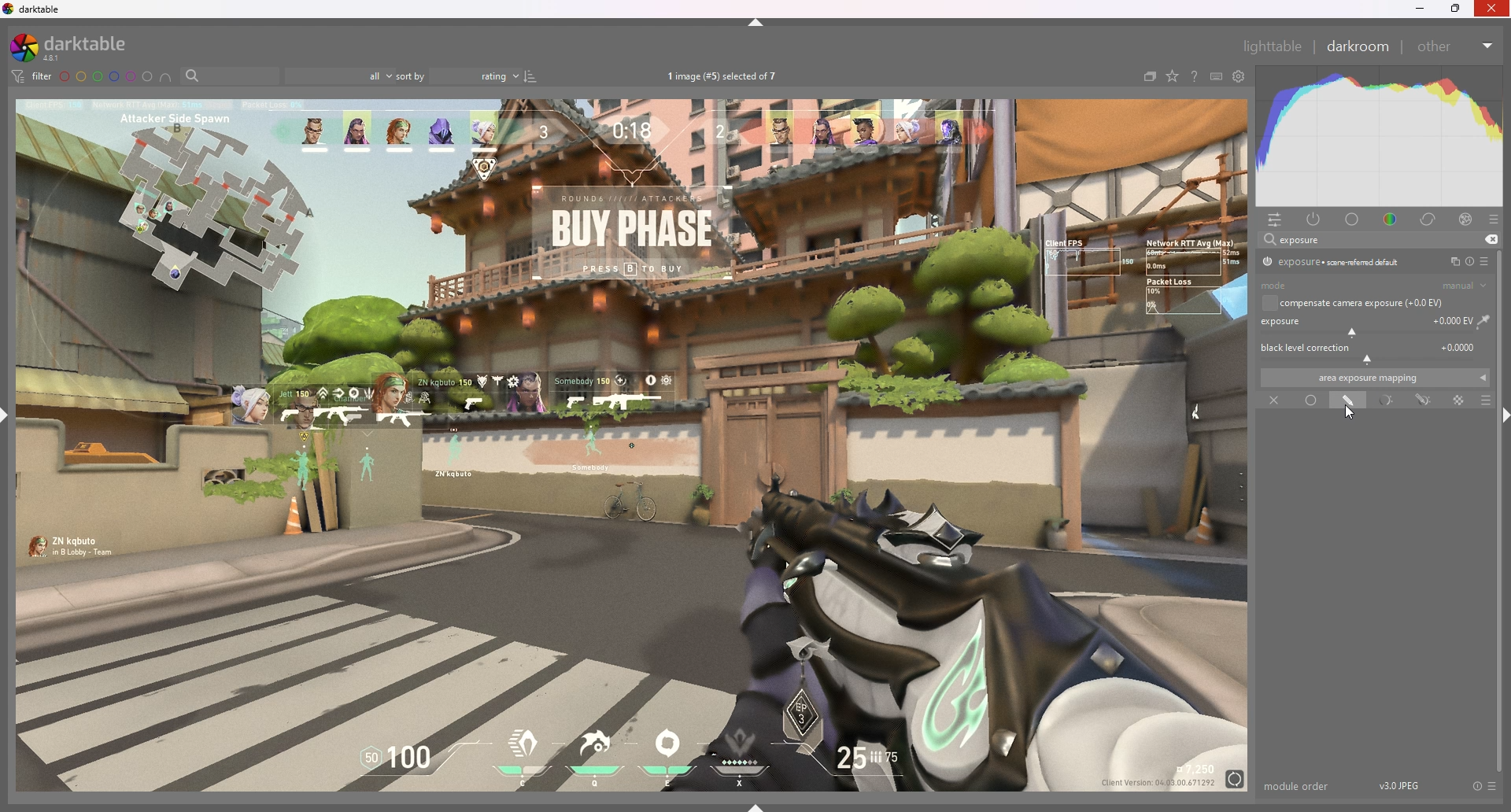  Describe the element at coordinates (1451, 262) in the screenshot. I see `multiple instances action` at that location.